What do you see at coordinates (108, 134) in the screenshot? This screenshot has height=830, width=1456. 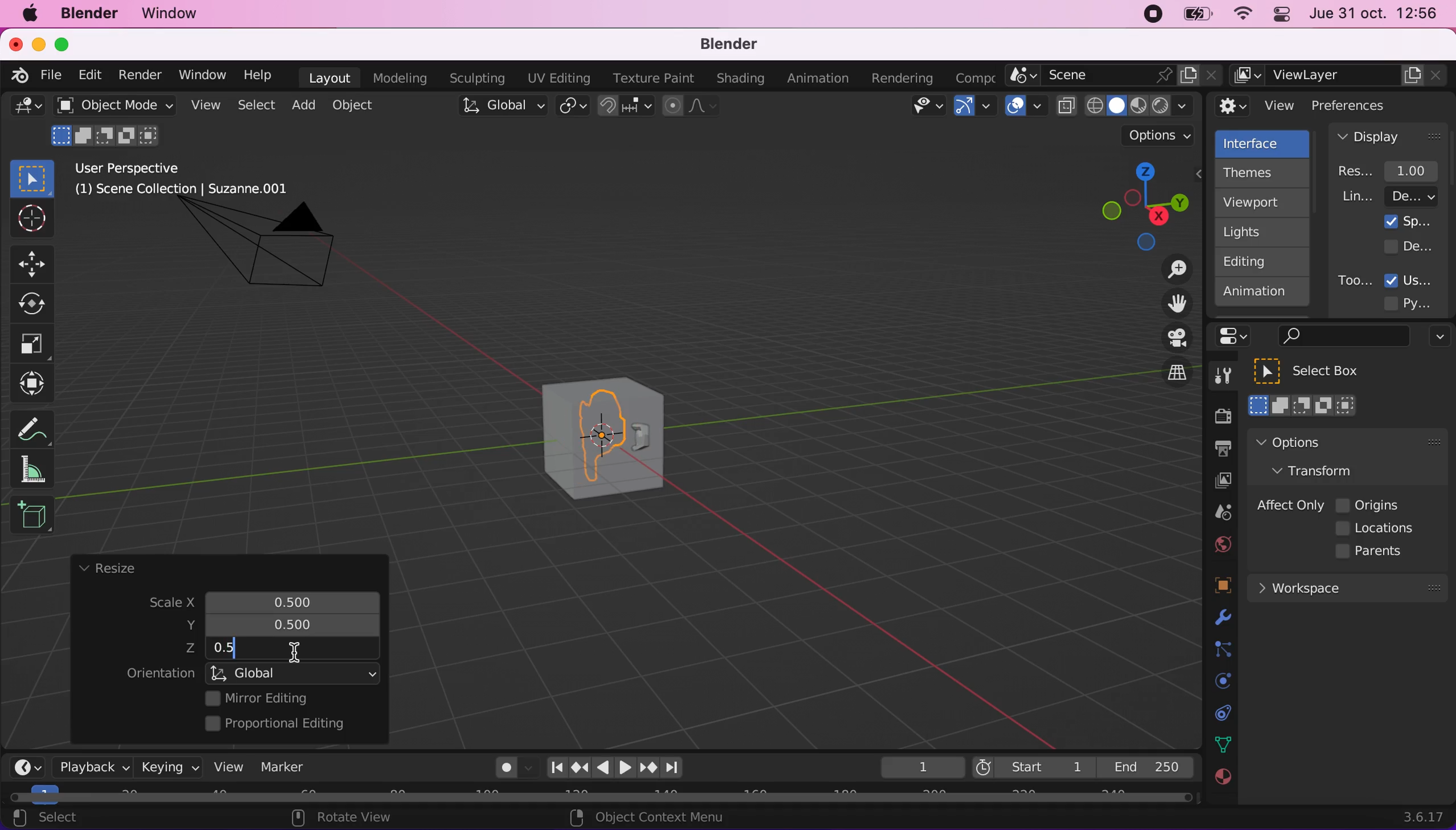 I see `mode` at bounding box center [108, 134].